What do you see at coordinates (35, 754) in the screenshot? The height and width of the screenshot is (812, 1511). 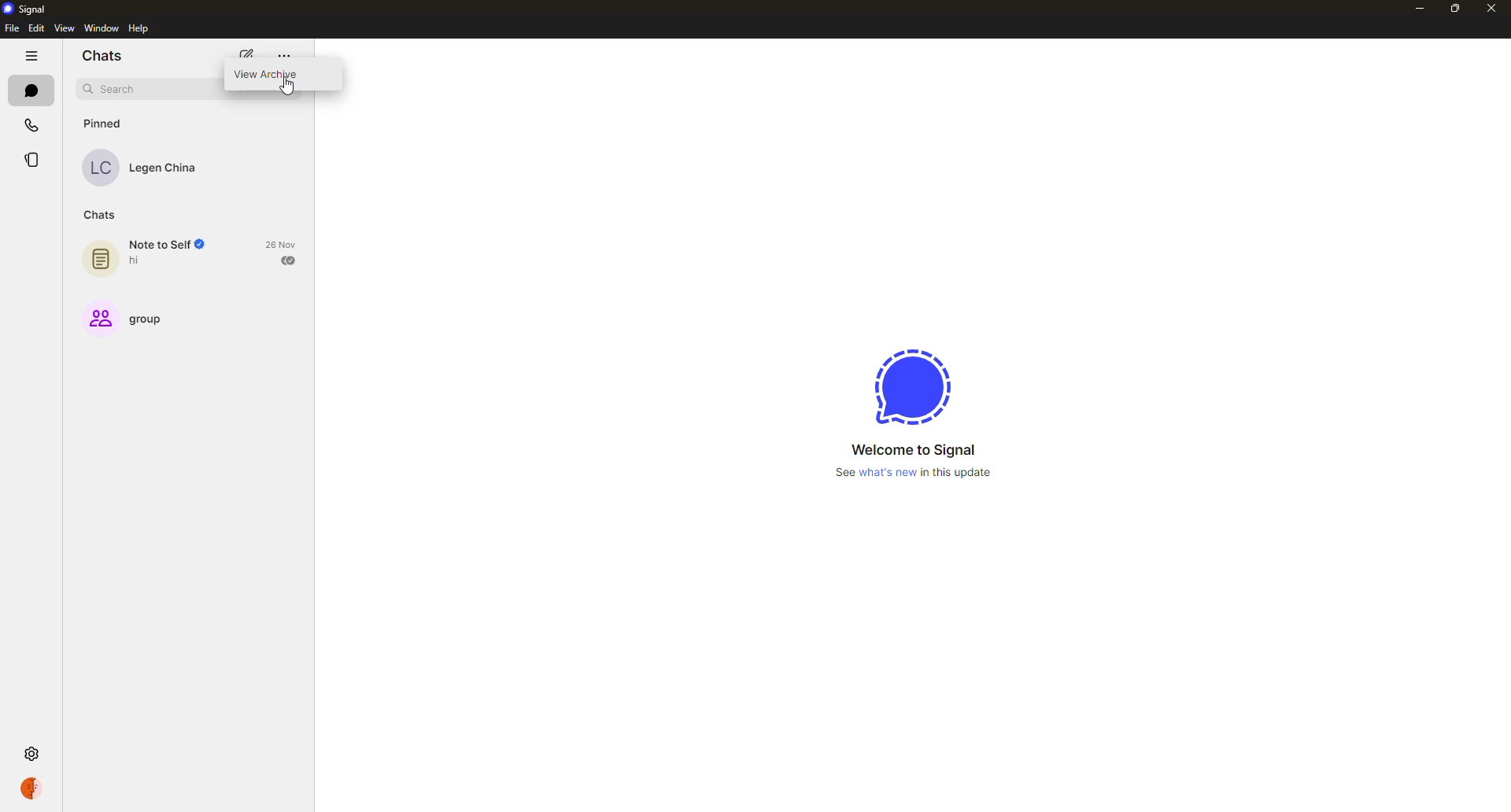 I see `settings` at bounding box center [35, 754].